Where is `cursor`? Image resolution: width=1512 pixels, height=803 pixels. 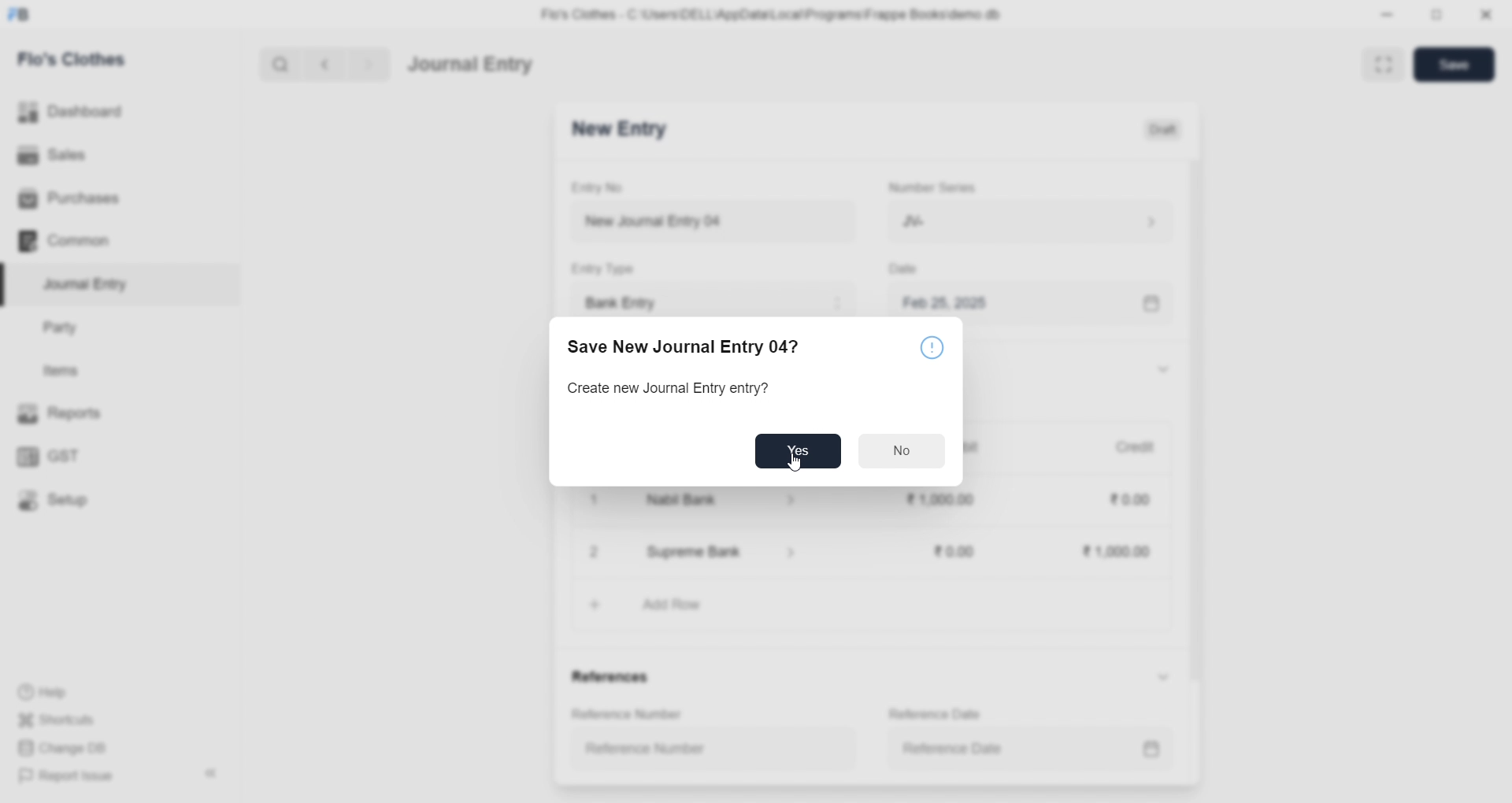 cursor is located at coordinates (795, 465).